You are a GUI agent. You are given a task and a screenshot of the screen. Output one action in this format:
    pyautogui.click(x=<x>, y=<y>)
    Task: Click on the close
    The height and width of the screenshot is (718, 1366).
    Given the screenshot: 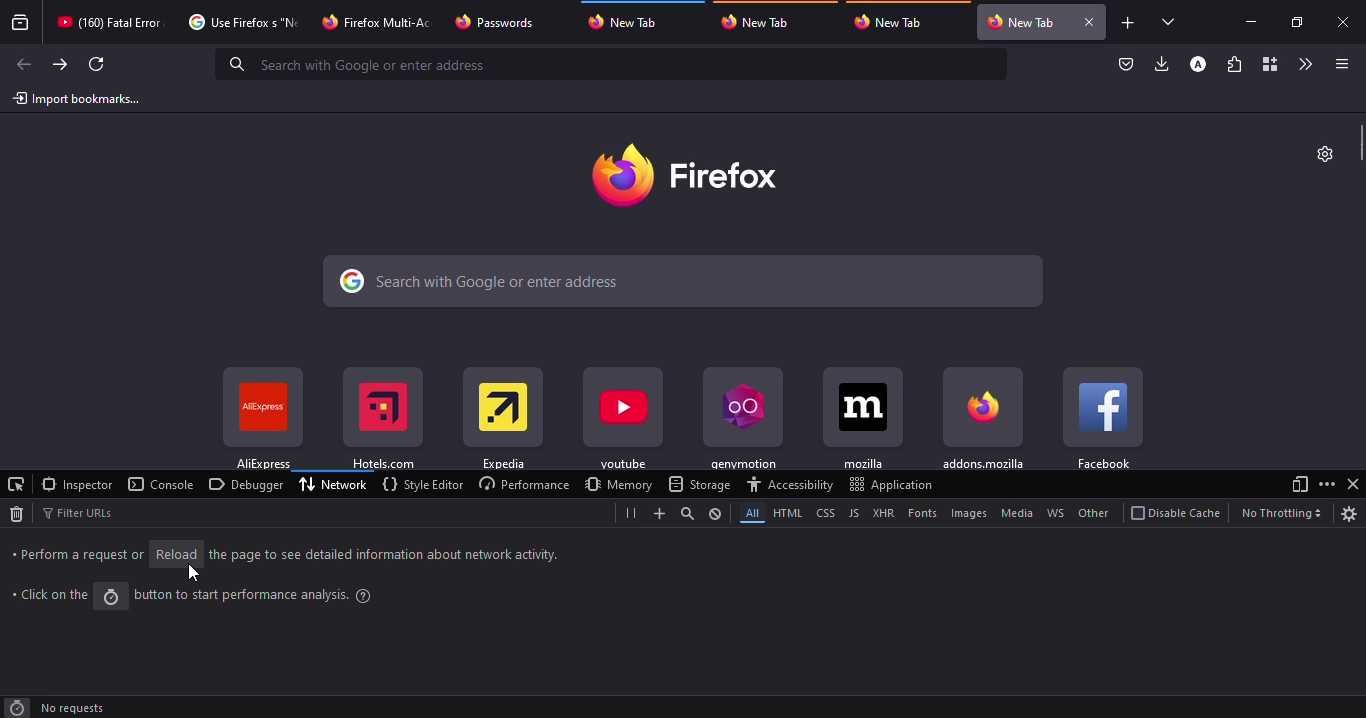 What is the action you would take?
    pyautogui.click(x=1344, y=21)
    